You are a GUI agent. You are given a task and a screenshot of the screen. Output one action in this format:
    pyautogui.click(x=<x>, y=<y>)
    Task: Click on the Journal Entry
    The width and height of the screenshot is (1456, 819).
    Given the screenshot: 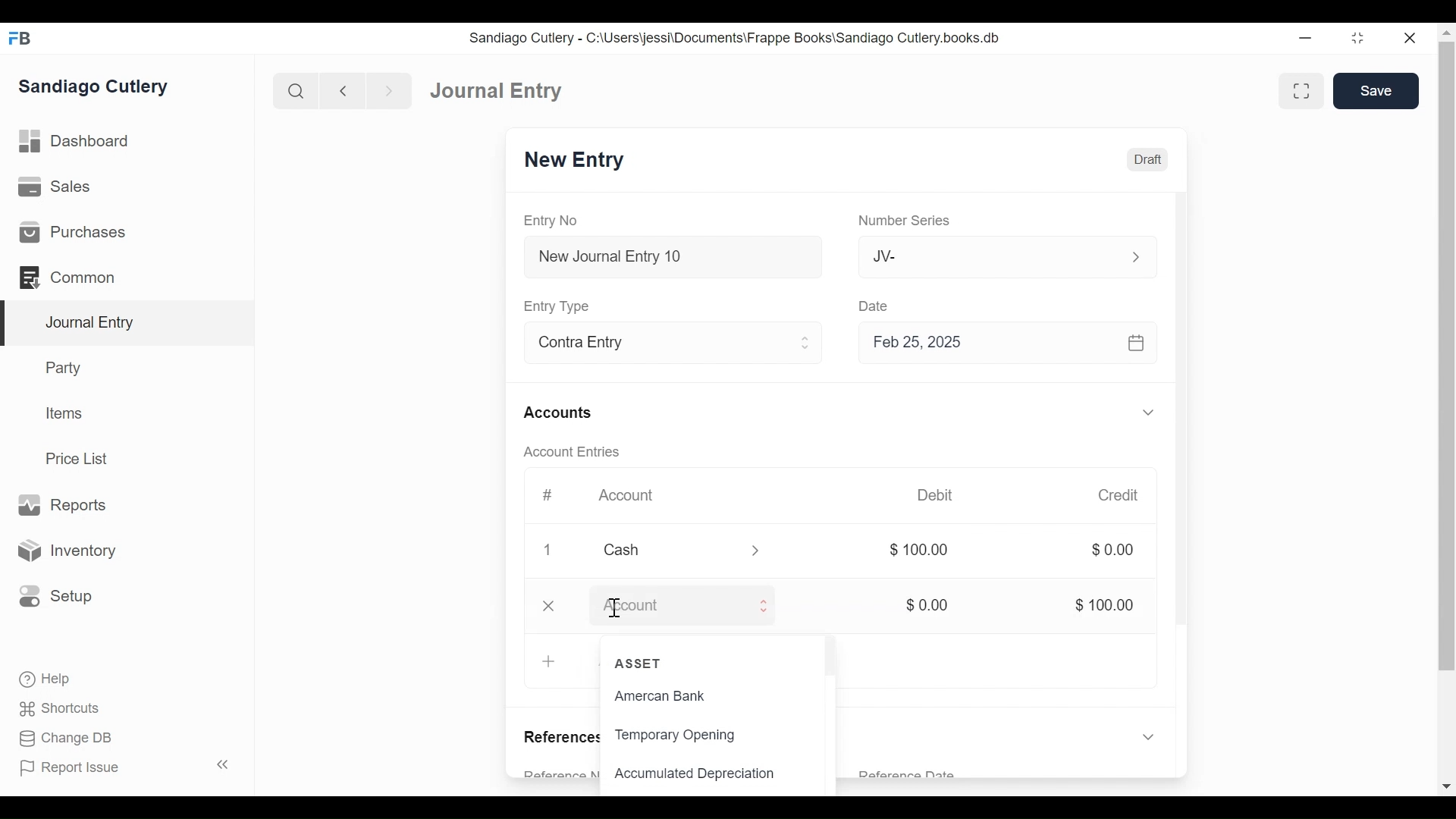 What is the action you would take?
    pyautogui.click(x=499, y=92)
    